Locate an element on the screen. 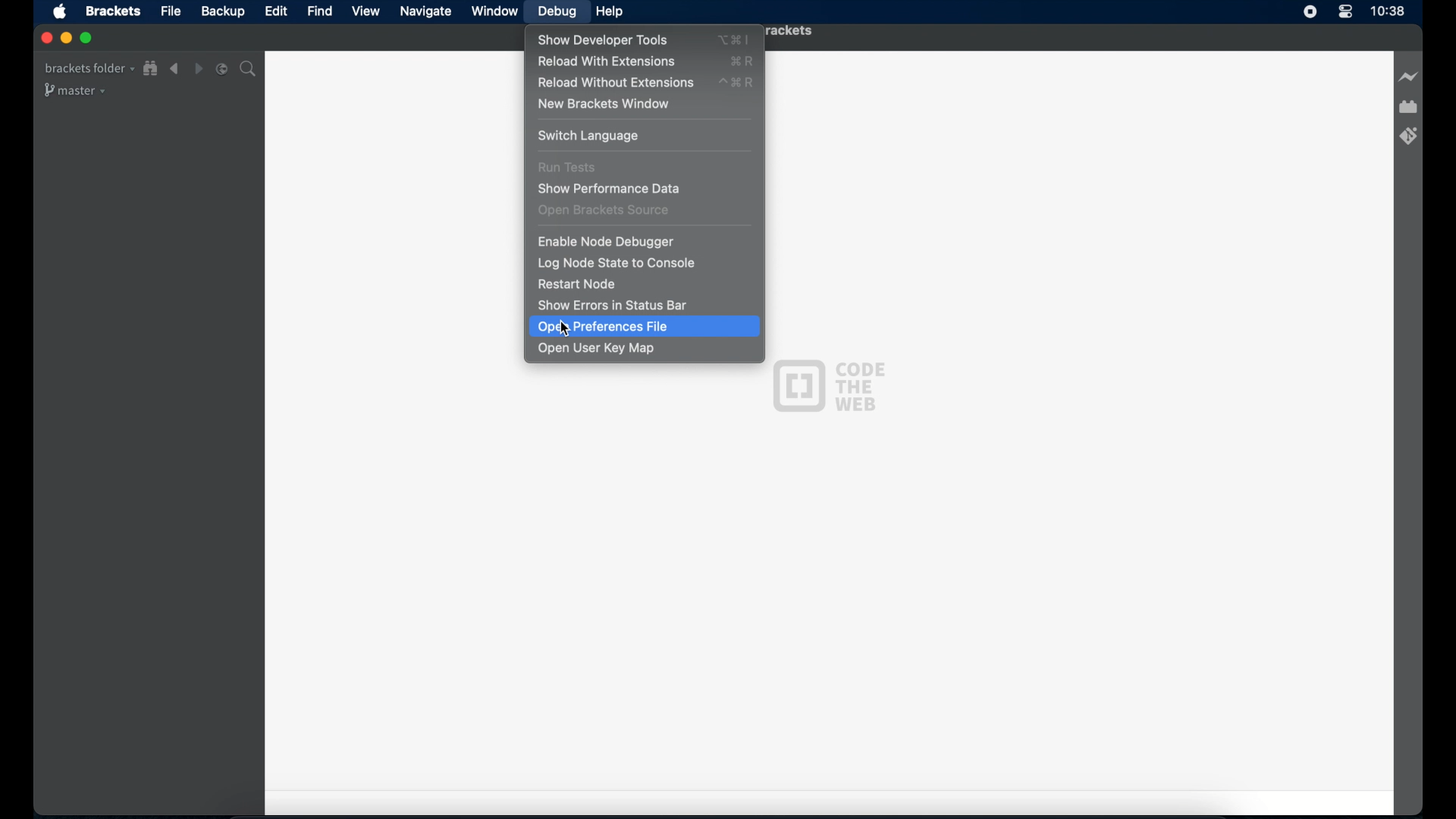 The image size is (1456, 819). apple icon is located at coordinates (61, 12).